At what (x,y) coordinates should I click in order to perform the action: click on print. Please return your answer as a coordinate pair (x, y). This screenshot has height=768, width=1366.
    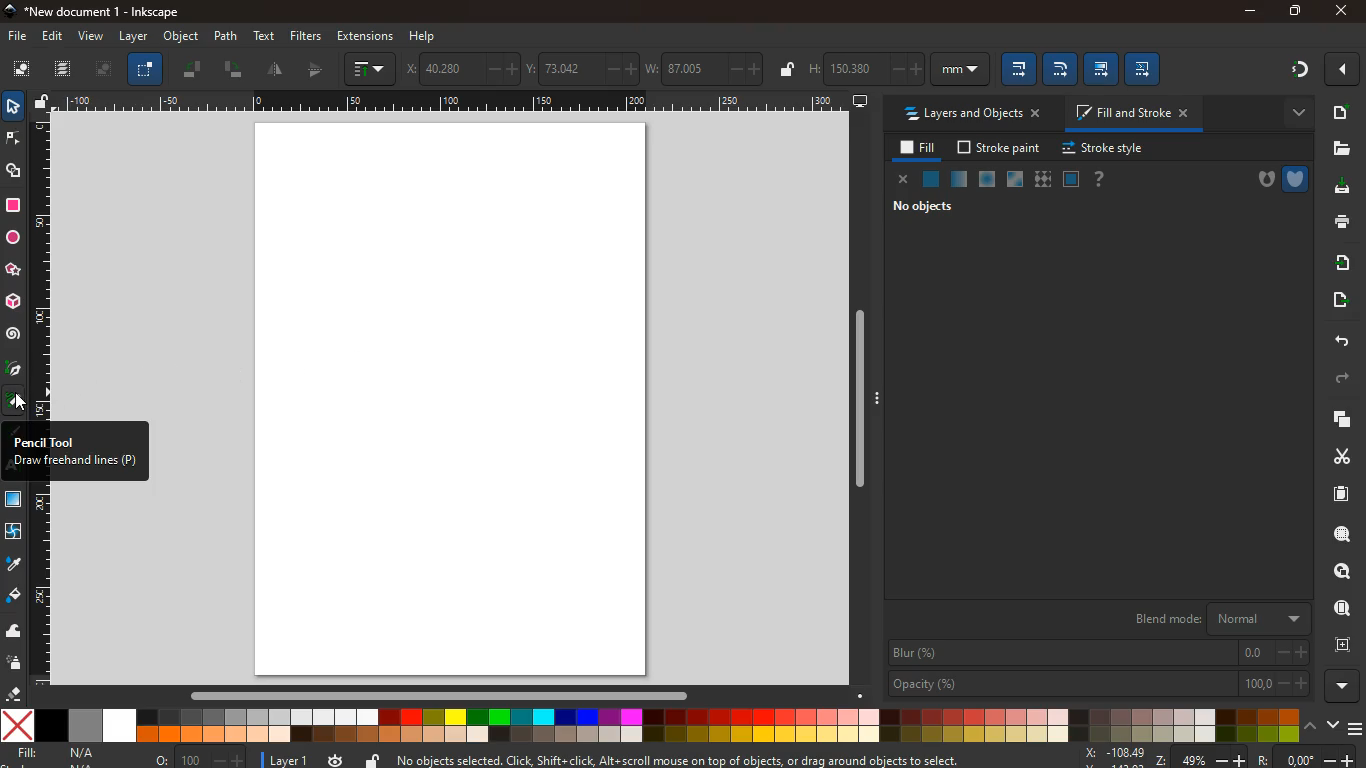
    Looking at the image, I should click on (1341, 223).